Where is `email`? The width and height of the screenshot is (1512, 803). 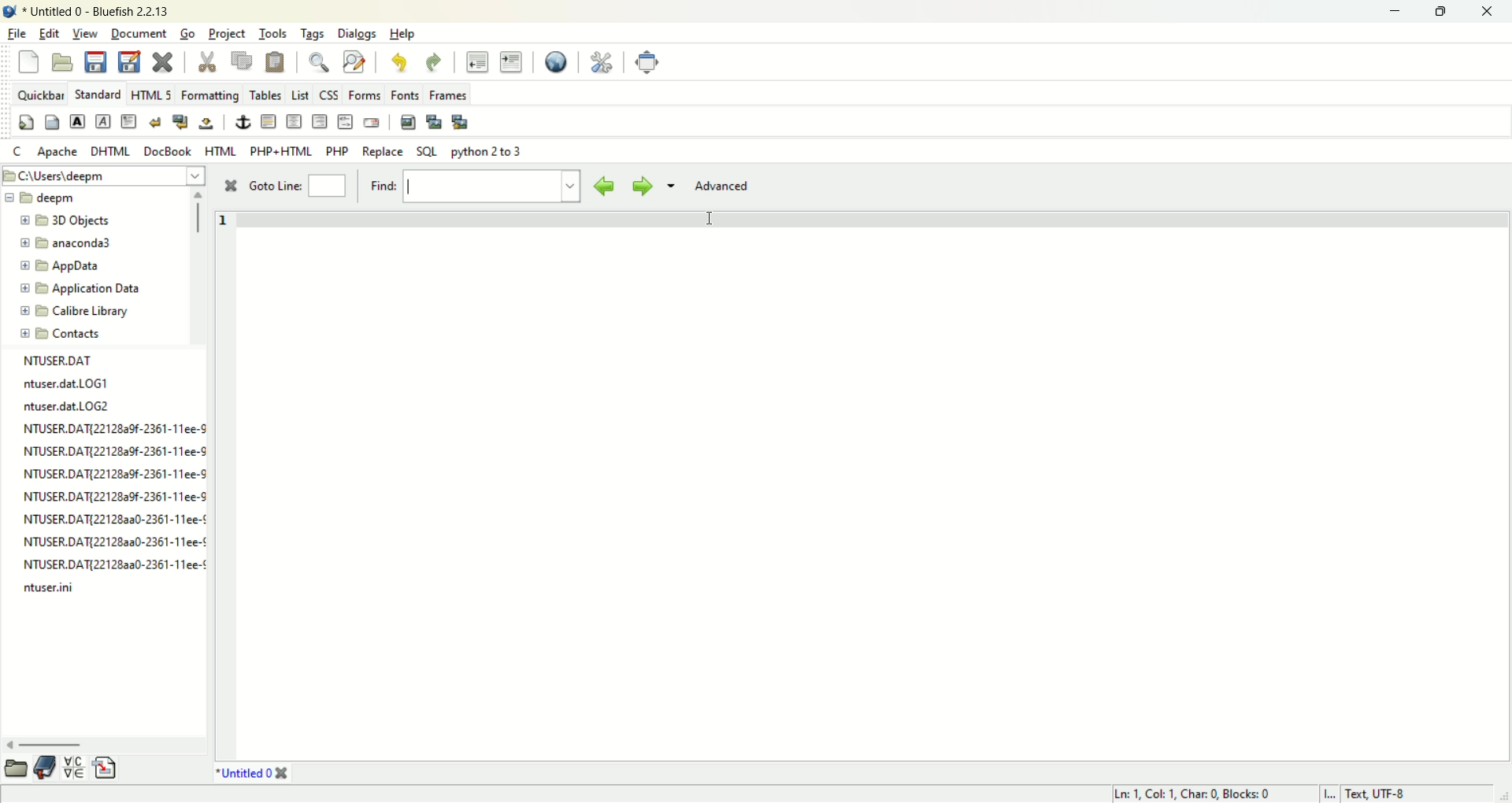 email is located at coordinates (371, 124).